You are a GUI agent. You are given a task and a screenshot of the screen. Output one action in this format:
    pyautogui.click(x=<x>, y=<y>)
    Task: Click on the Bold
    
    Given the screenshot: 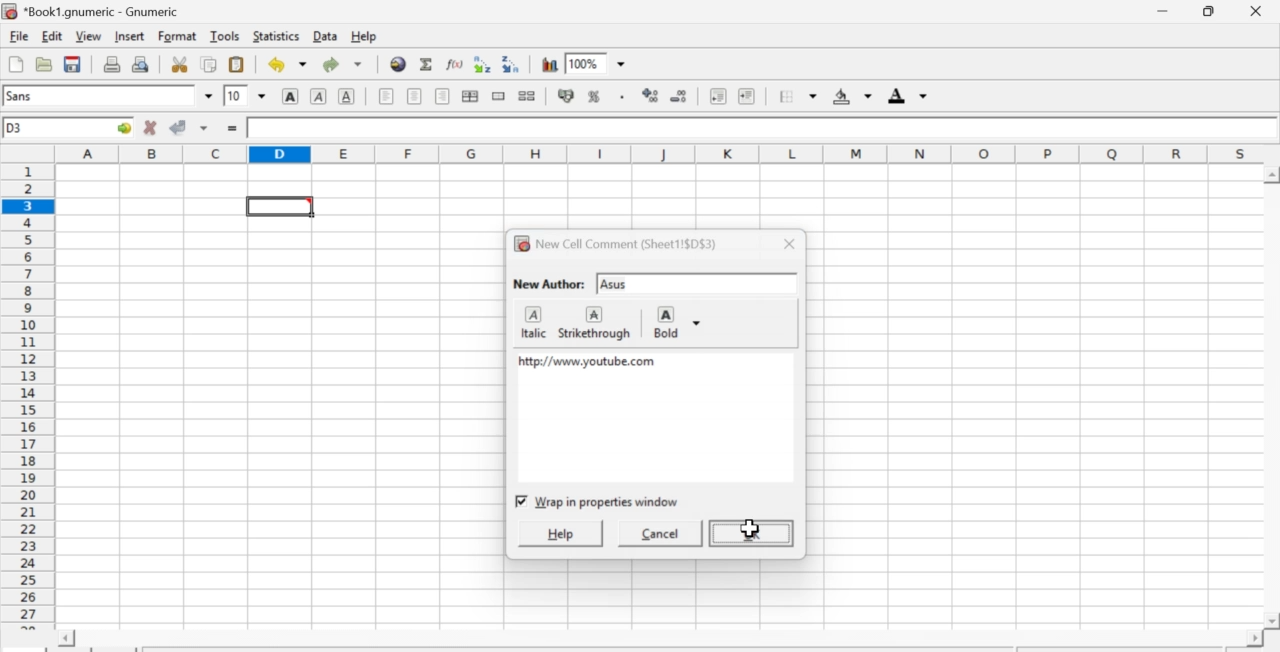 What is the action you would take?
    pyautogui.click(x=287, y=96)
    